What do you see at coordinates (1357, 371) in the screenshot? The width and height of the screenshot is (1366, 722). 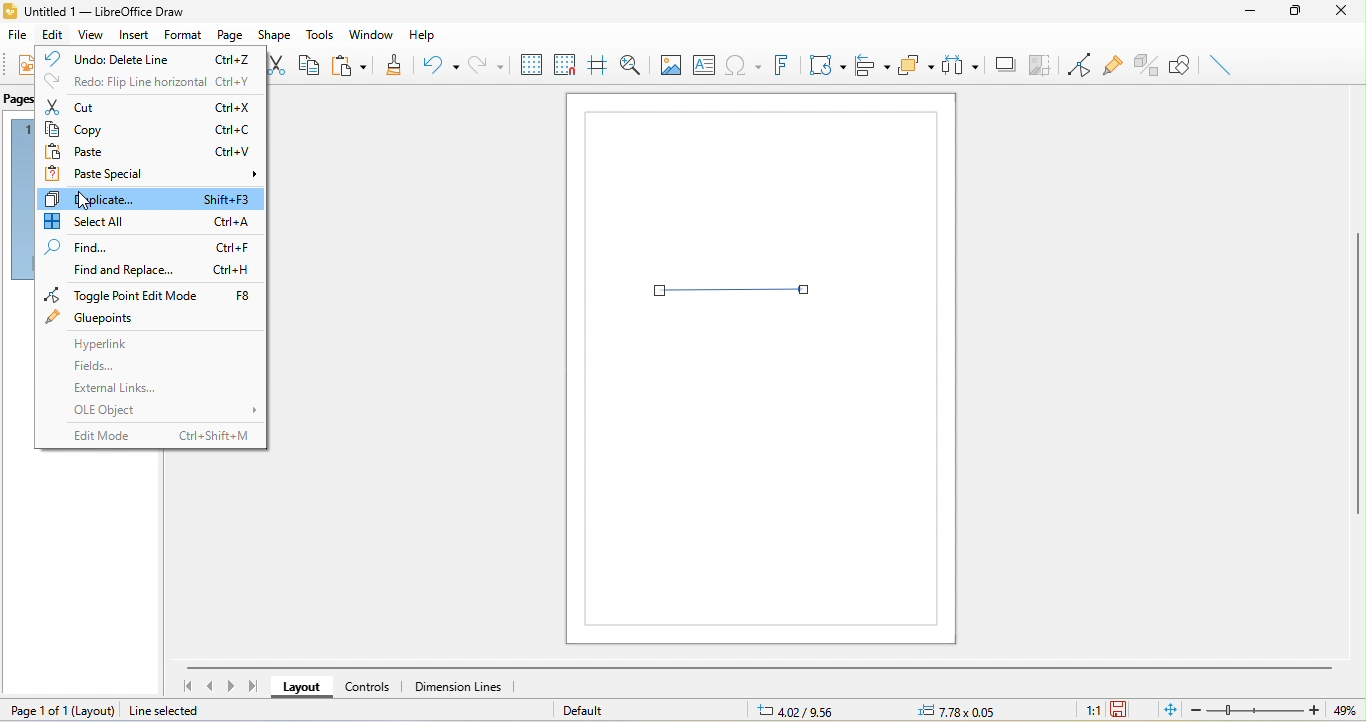 I see `vertical scroll bar` at bounding box center [1357, 371].